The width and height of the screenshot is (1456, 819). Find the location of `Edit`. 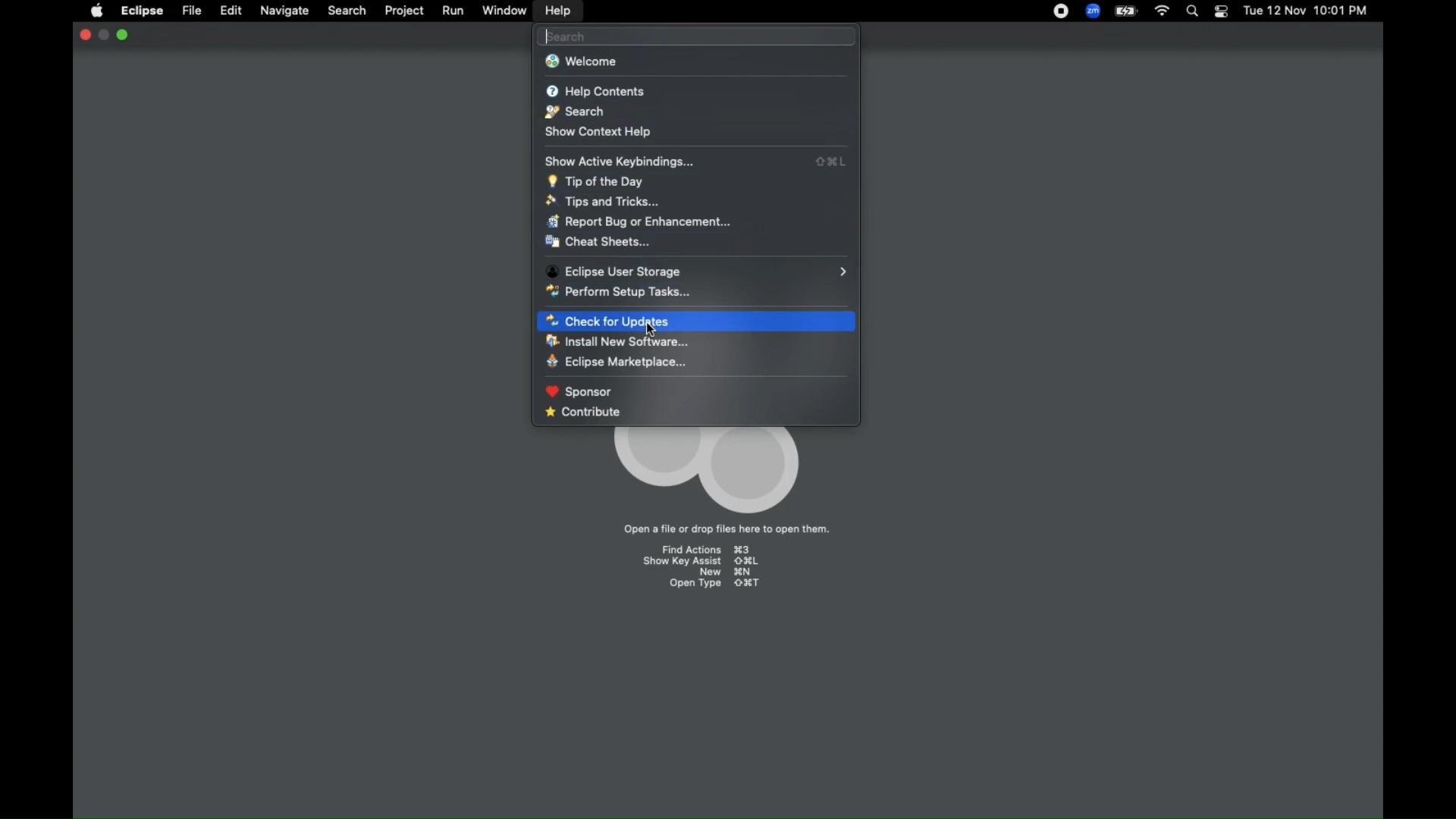

Edit is located at coordinates (231, 11).